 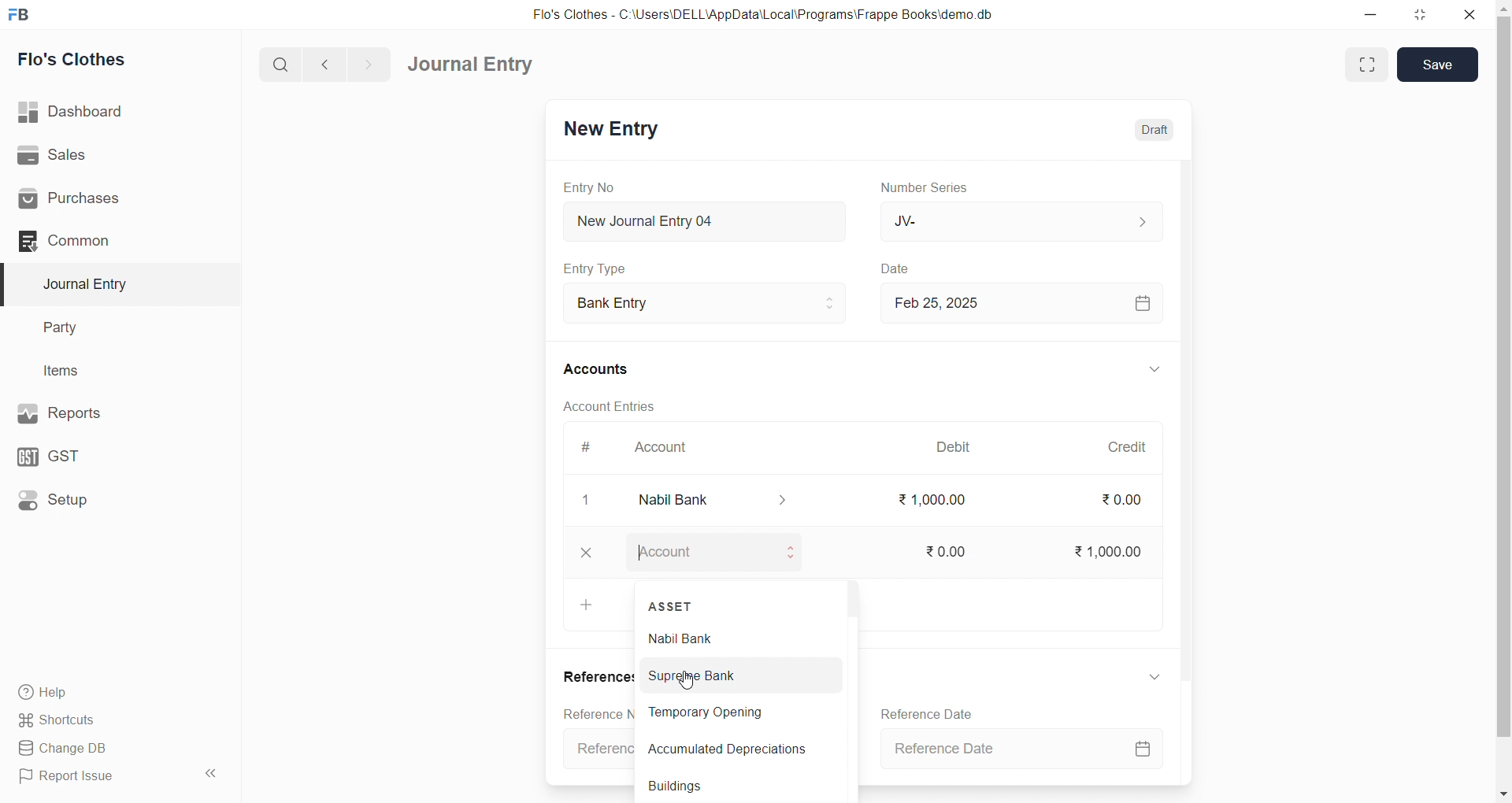 I want to click on Date, so click(x=906, y=269).